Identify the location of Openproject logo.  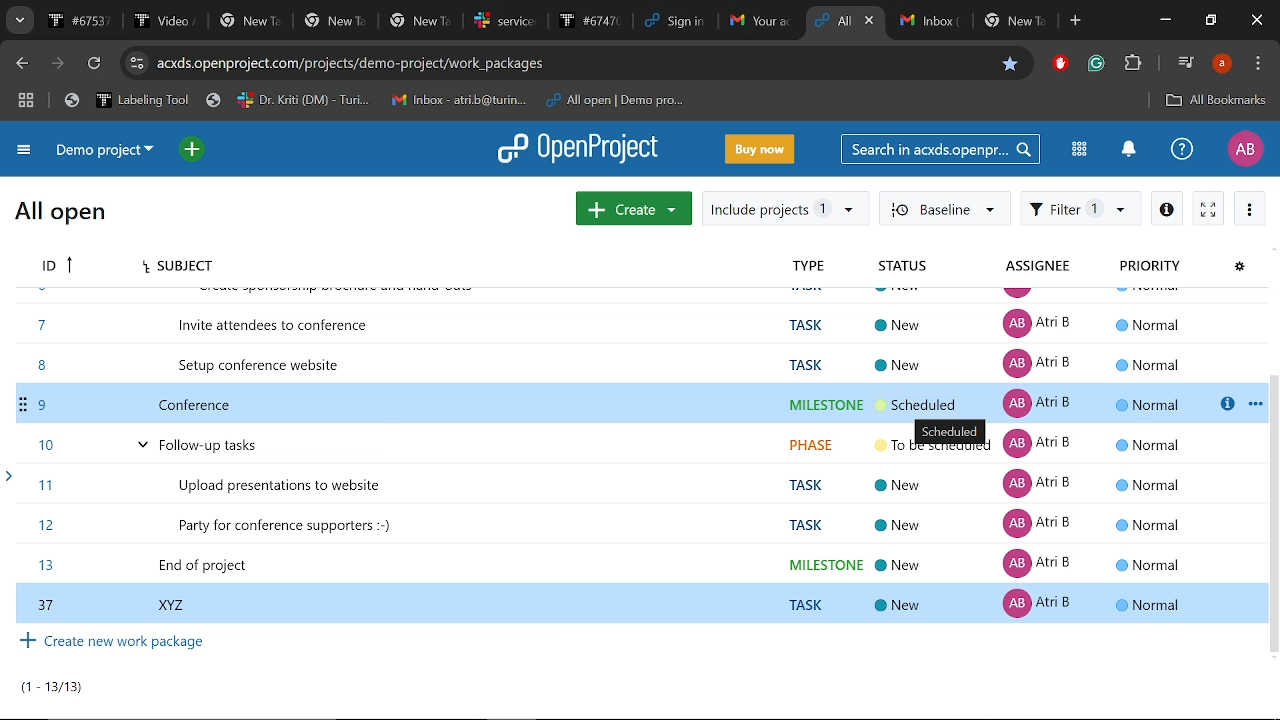
(579, 148).